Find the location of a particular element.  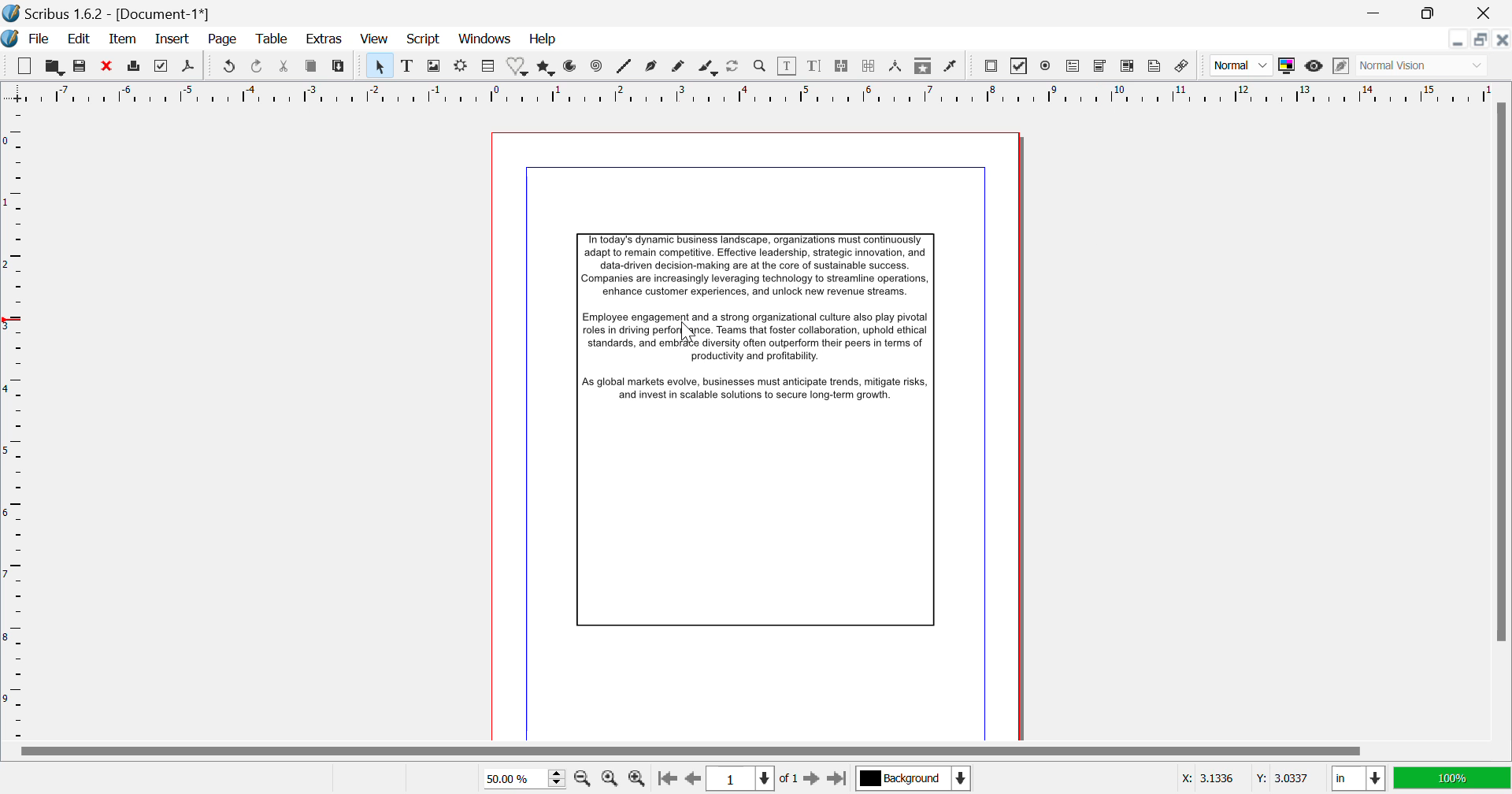

Paste is located at coordinates (339, 66).